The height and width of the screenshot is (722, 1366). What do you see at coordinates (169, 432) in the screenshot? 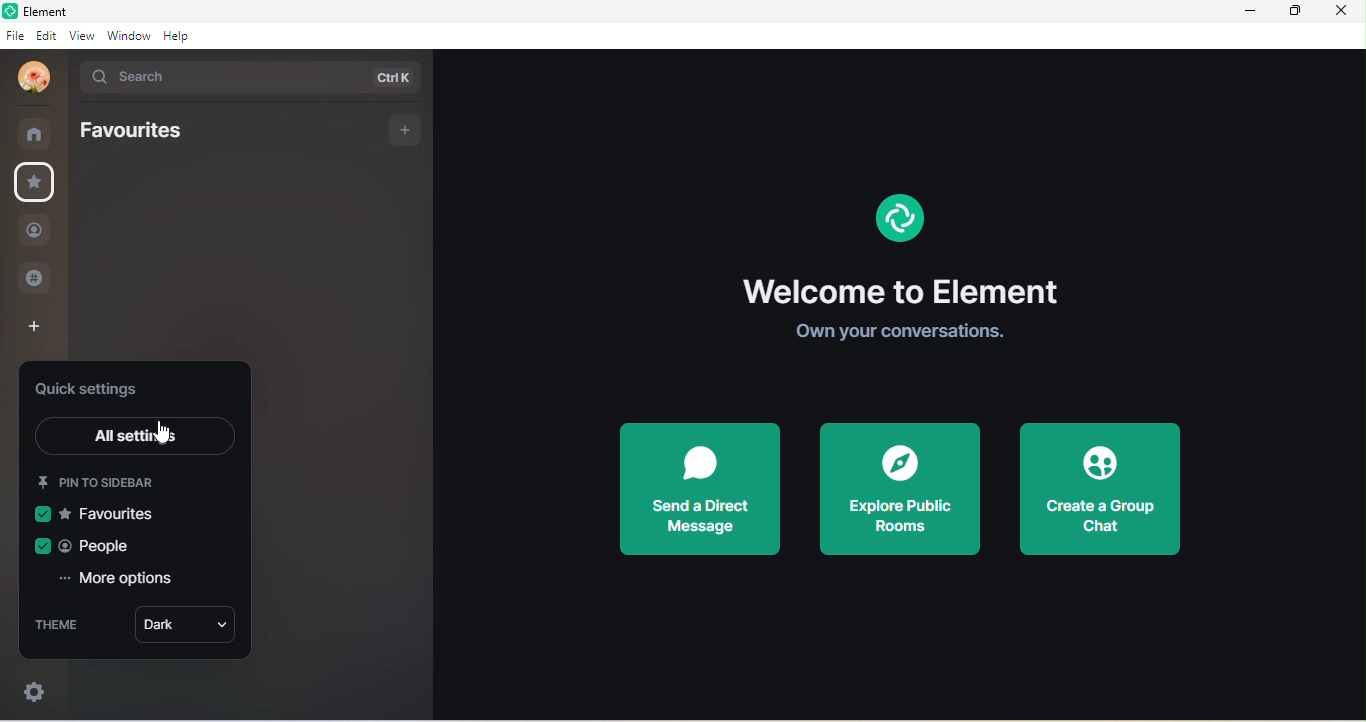
I see `cursor movement` at bounding box center [169, 432].